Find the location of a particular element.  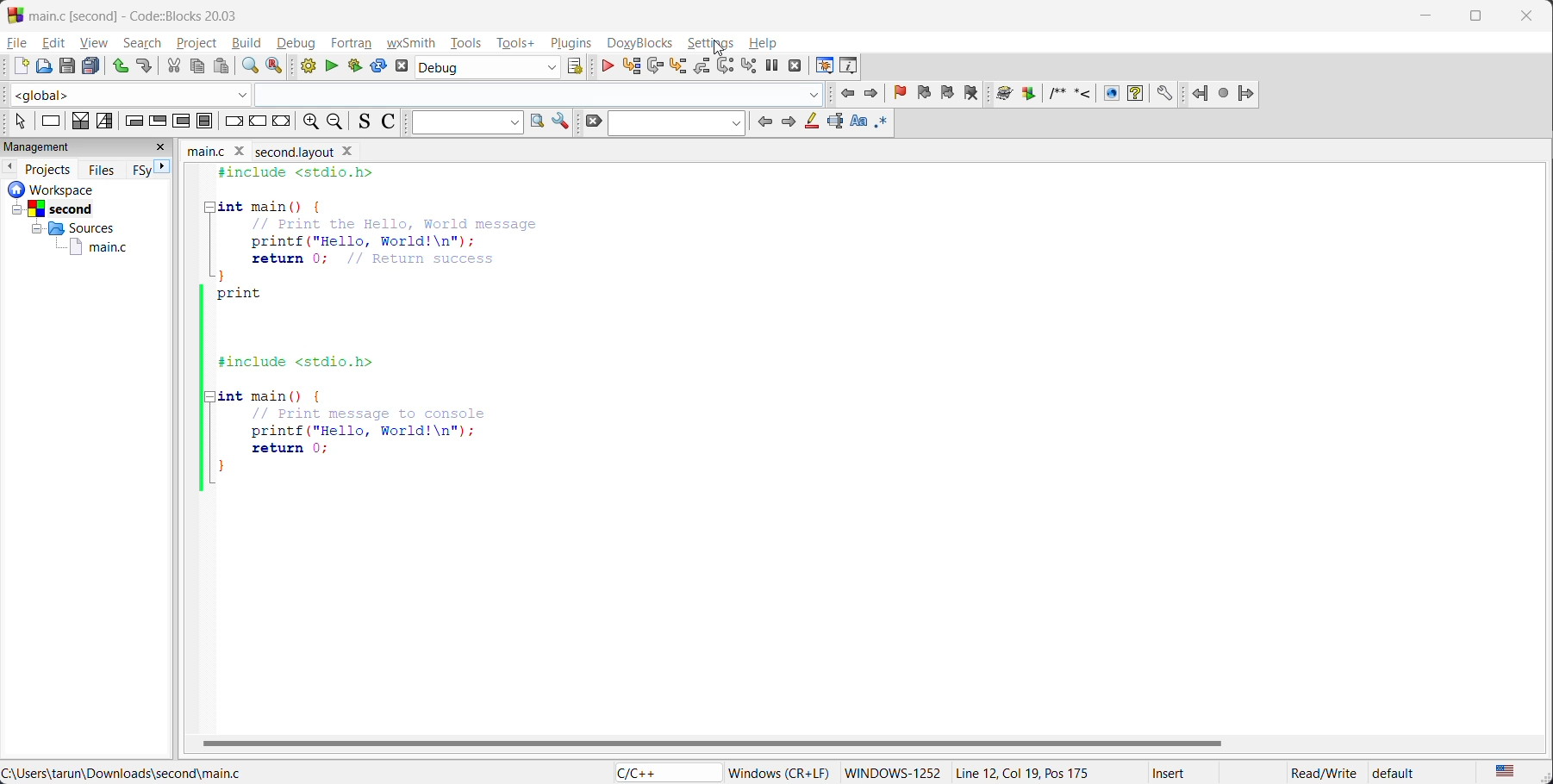

view is located at coordinates (92, 42).